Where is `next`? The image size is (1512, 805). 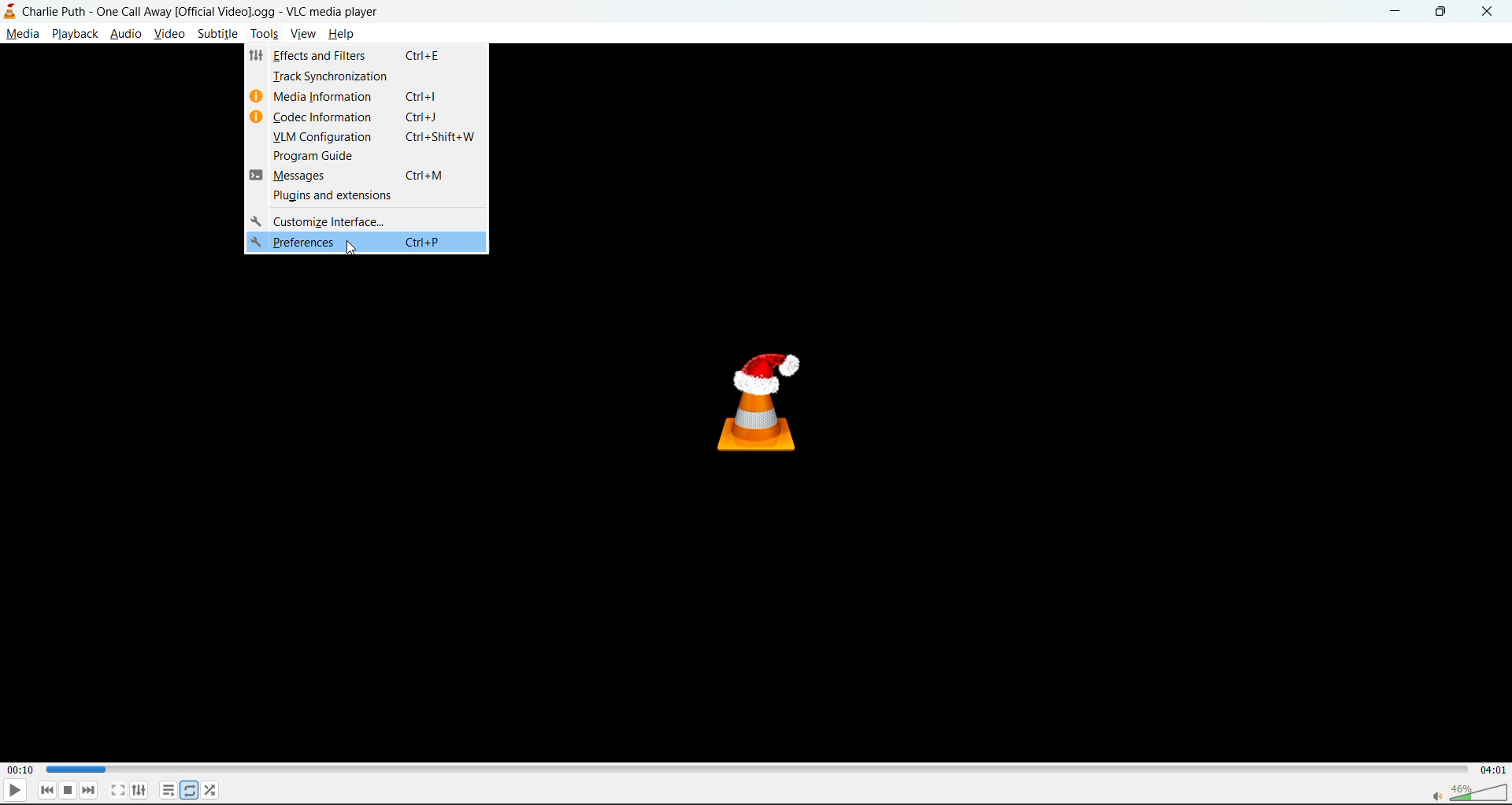
next is located at coordinates (87, 792).